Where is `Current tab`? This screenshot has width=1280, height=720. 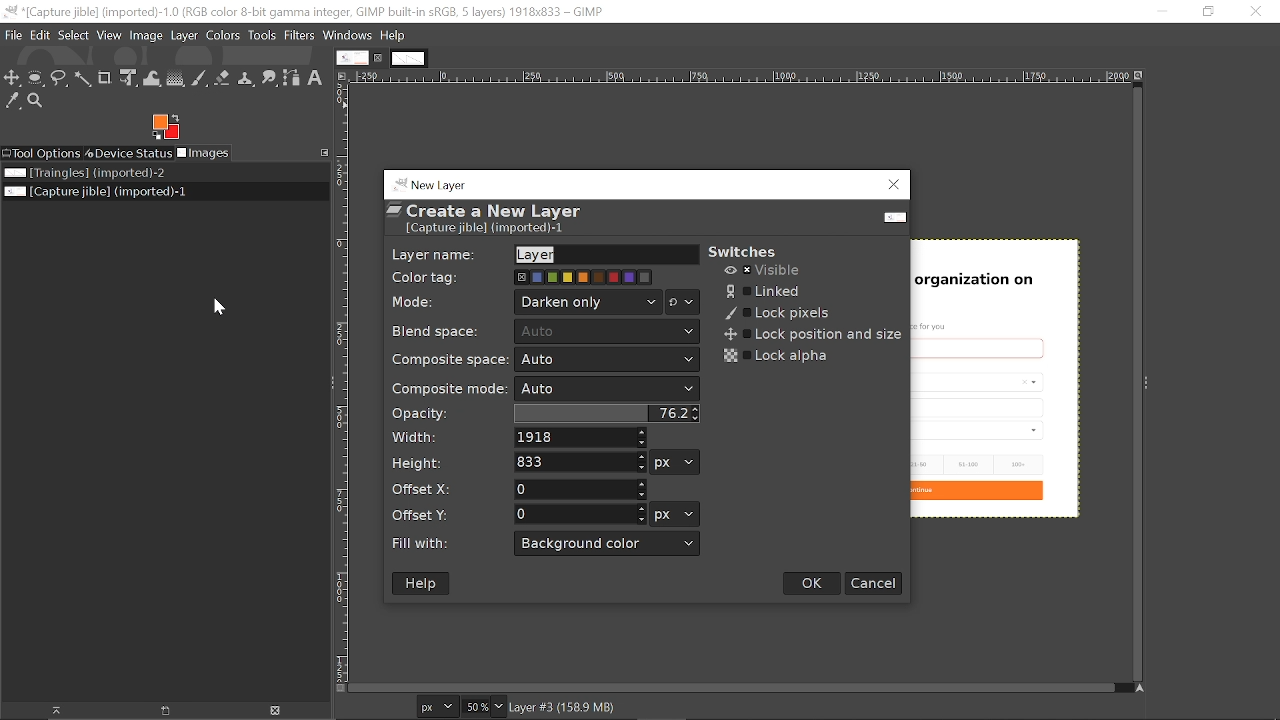 Current tab is located at coordinates (352, 57).